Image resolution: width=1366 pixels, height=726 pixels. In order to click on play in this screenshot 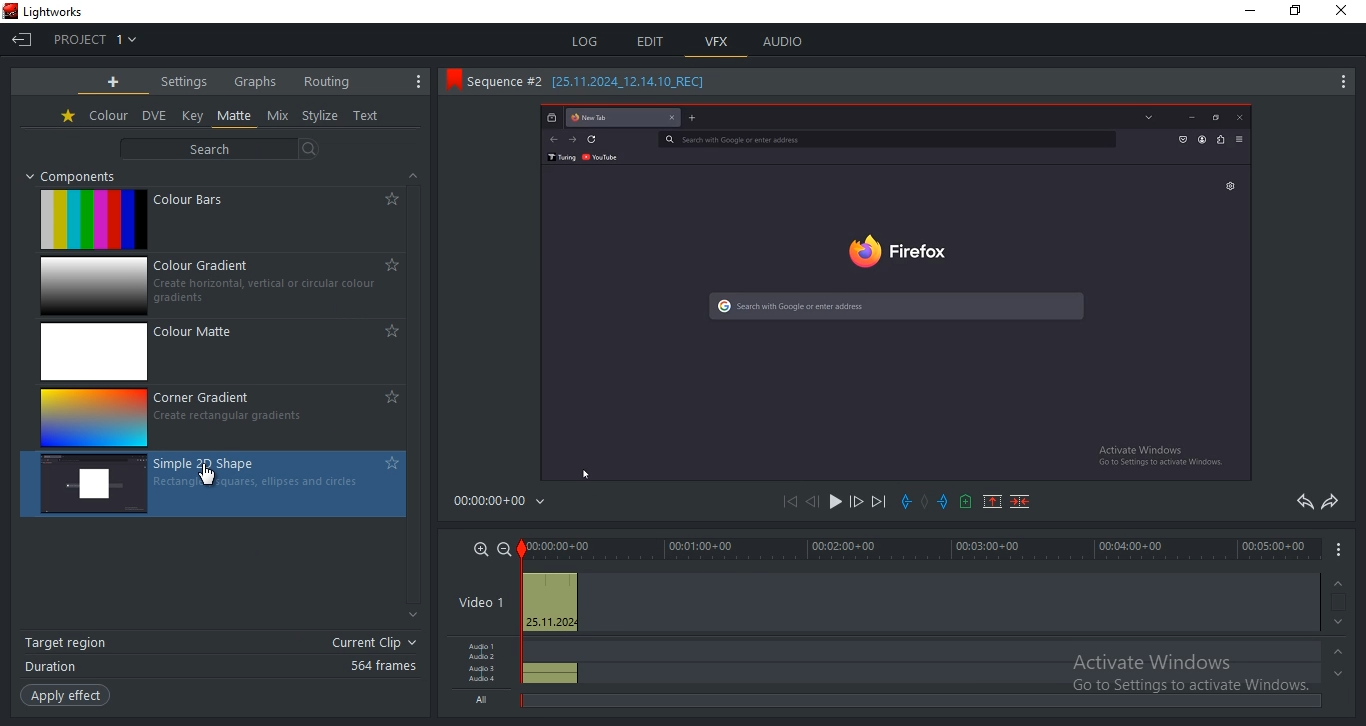, I will do `click(833, 504)`.